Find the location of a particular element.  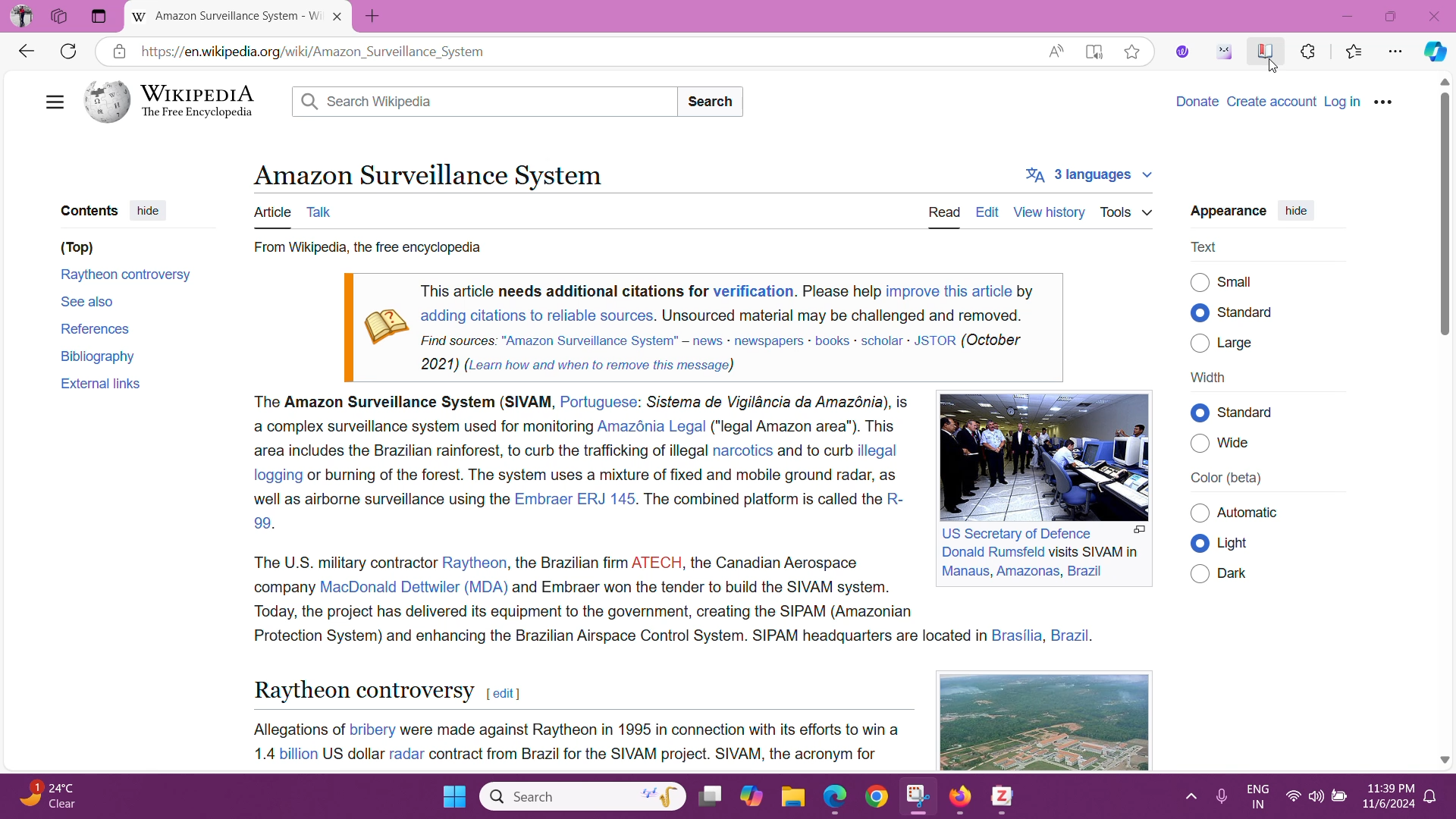

area includes the Brazilian rainforest, to curb the trafficking of illegal is located at coordinates (479, 452).